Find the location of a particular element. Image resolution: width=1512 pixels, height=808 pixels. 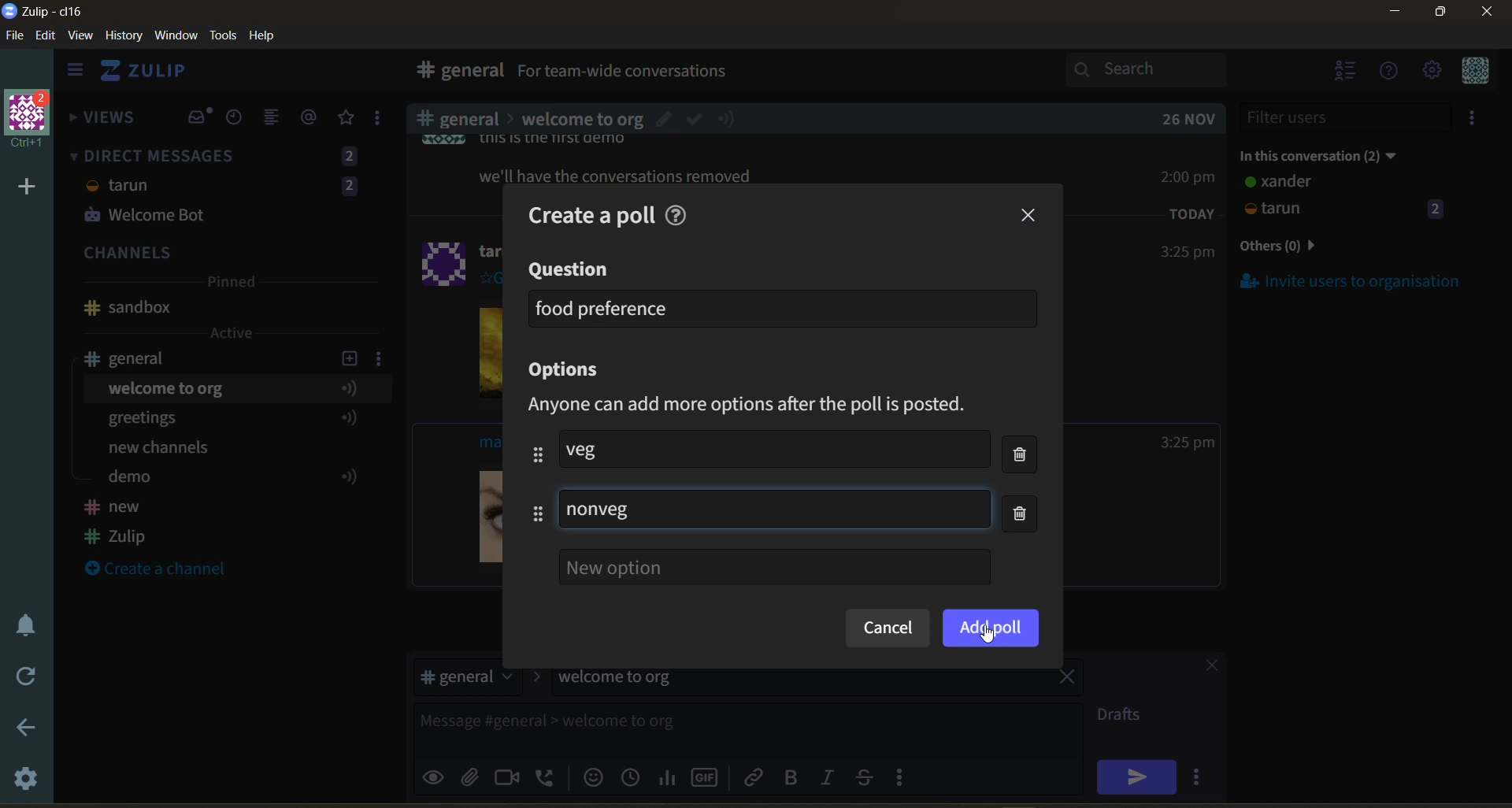

close is located at coordinates (1030, 216).